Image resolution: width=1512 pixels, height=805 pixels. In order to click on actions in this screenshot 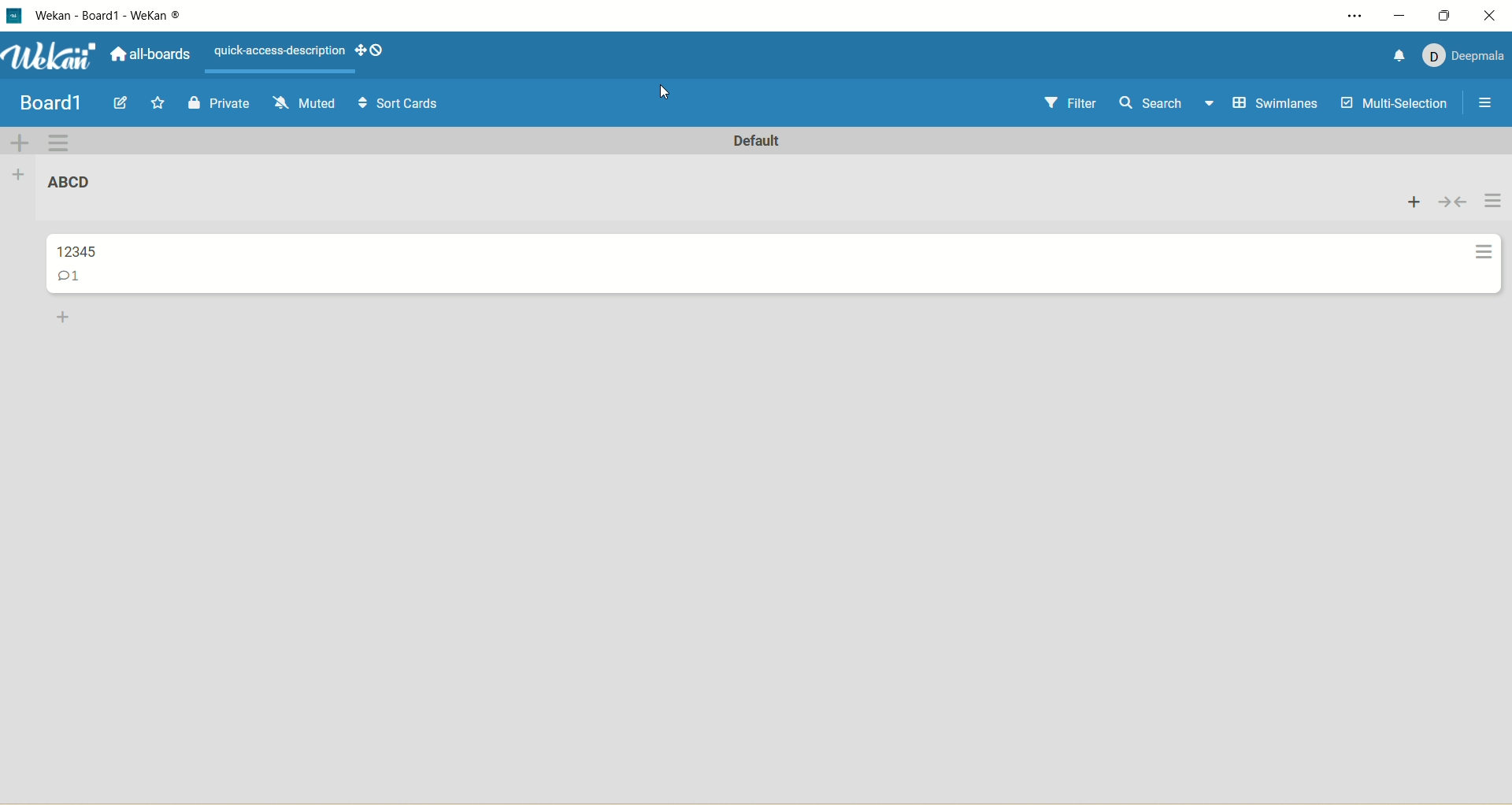, I will do `click(1488, 239)`.